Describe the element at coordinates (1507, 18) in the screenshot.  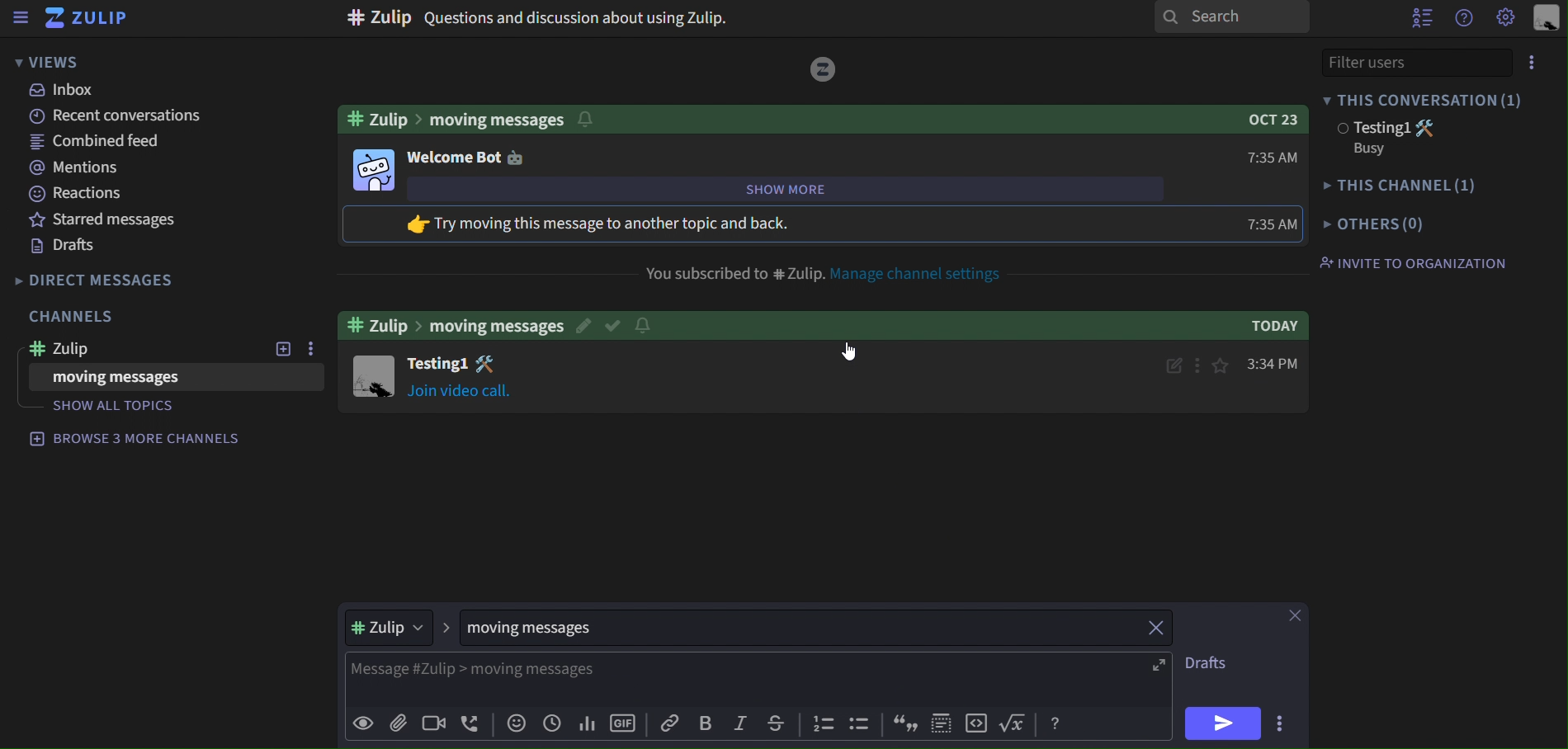
I see `main menu` at that location.